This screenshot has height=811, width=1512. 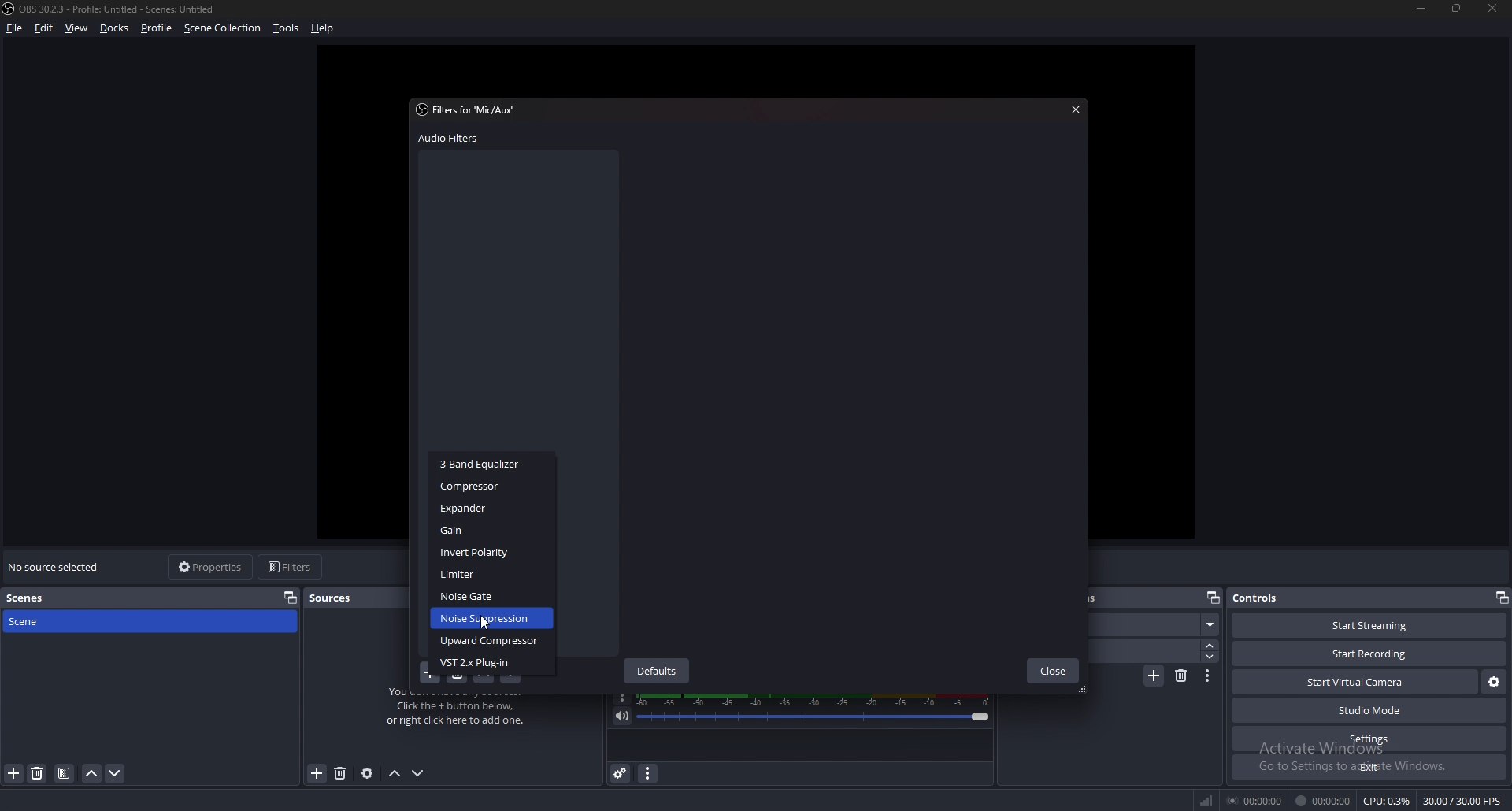 I want to click on docks, so click(x=114, y=28).